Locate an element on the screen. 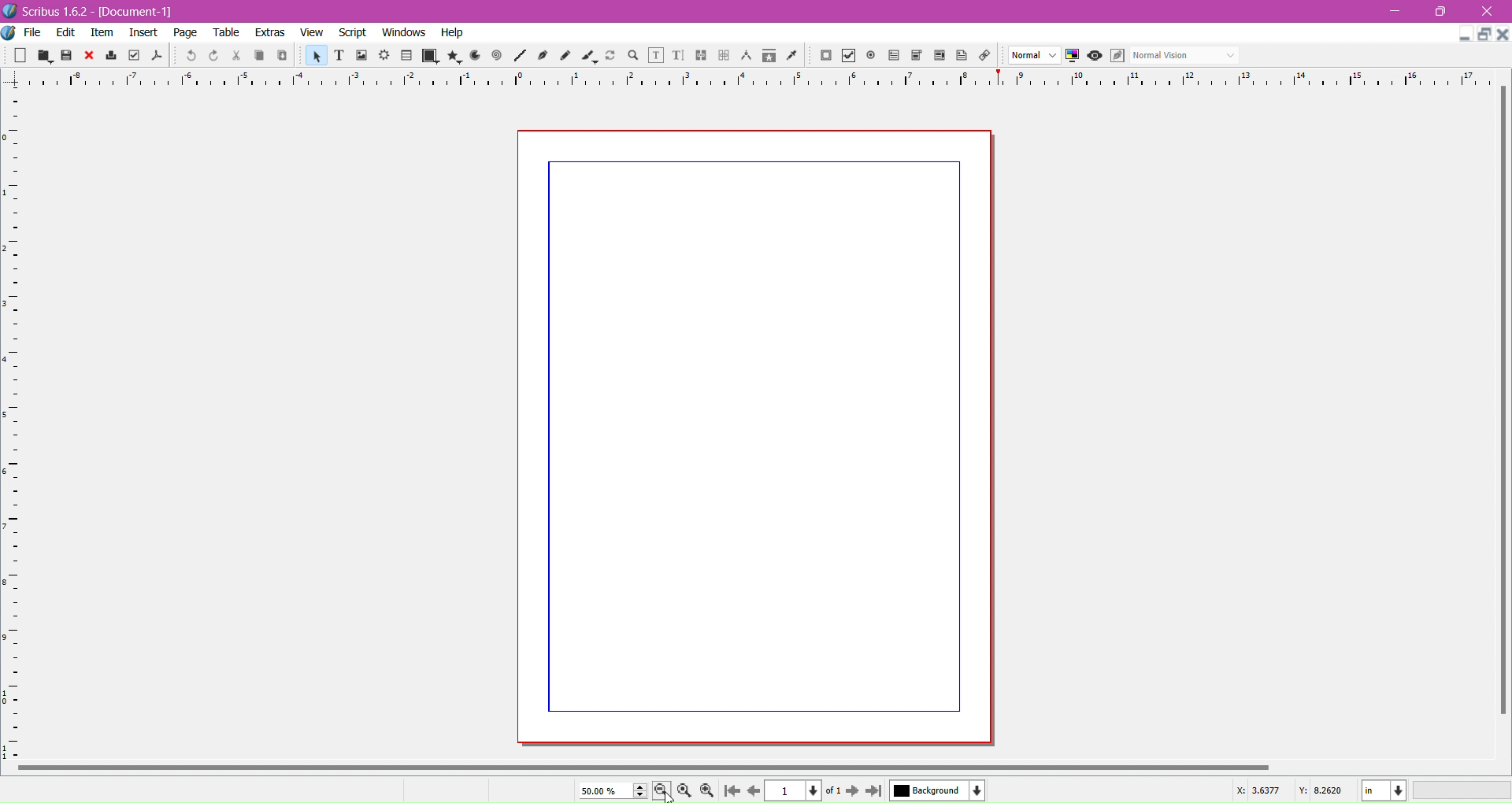 Image resolution: width=1512 pixels, height=803 pixels. Image Frame is located at coordinates (315, 55).